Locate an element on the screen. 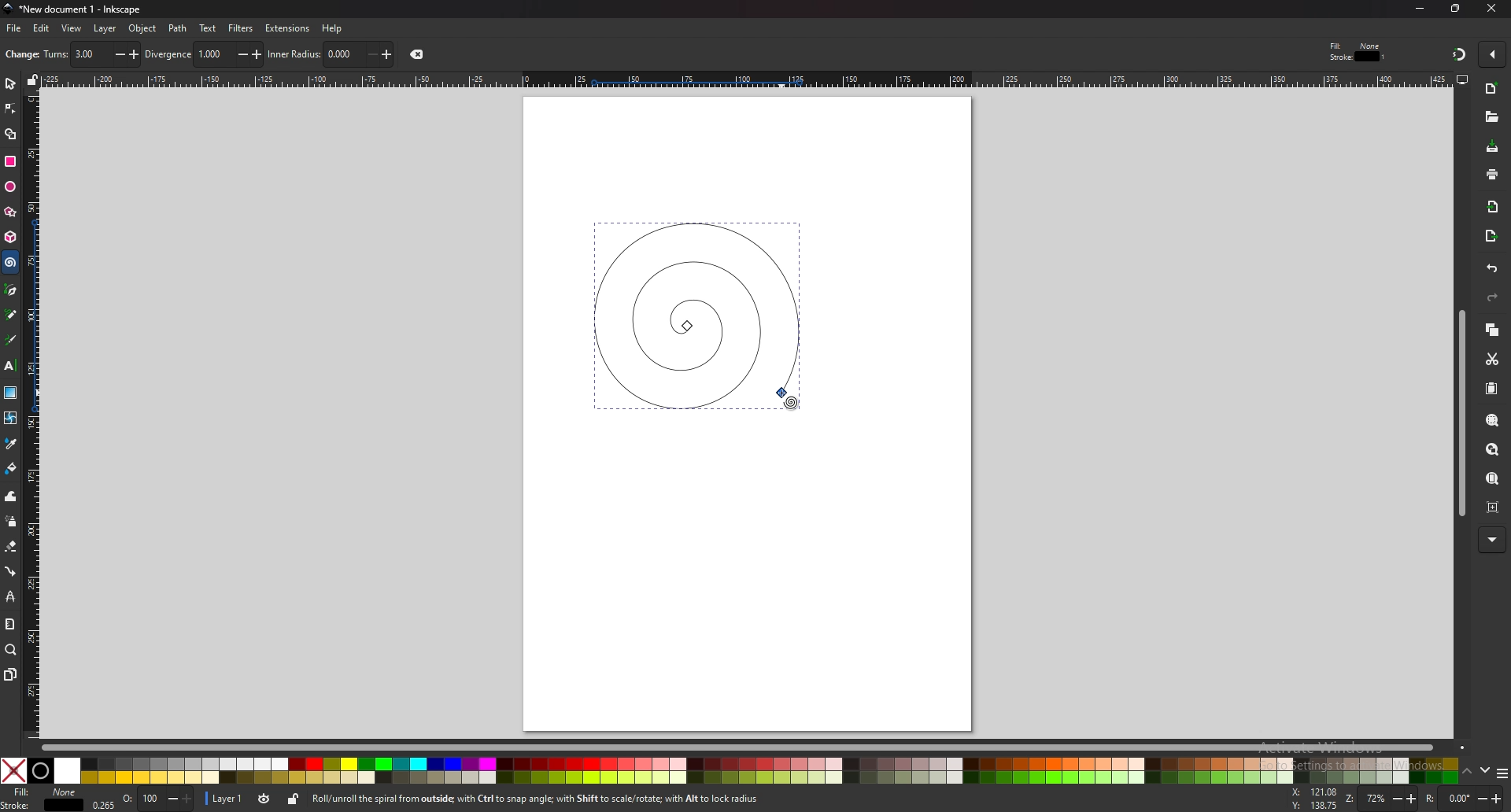 This screenshot has height=812, width=1511. toggle current layer visibility is located at coordinates (265, 799).